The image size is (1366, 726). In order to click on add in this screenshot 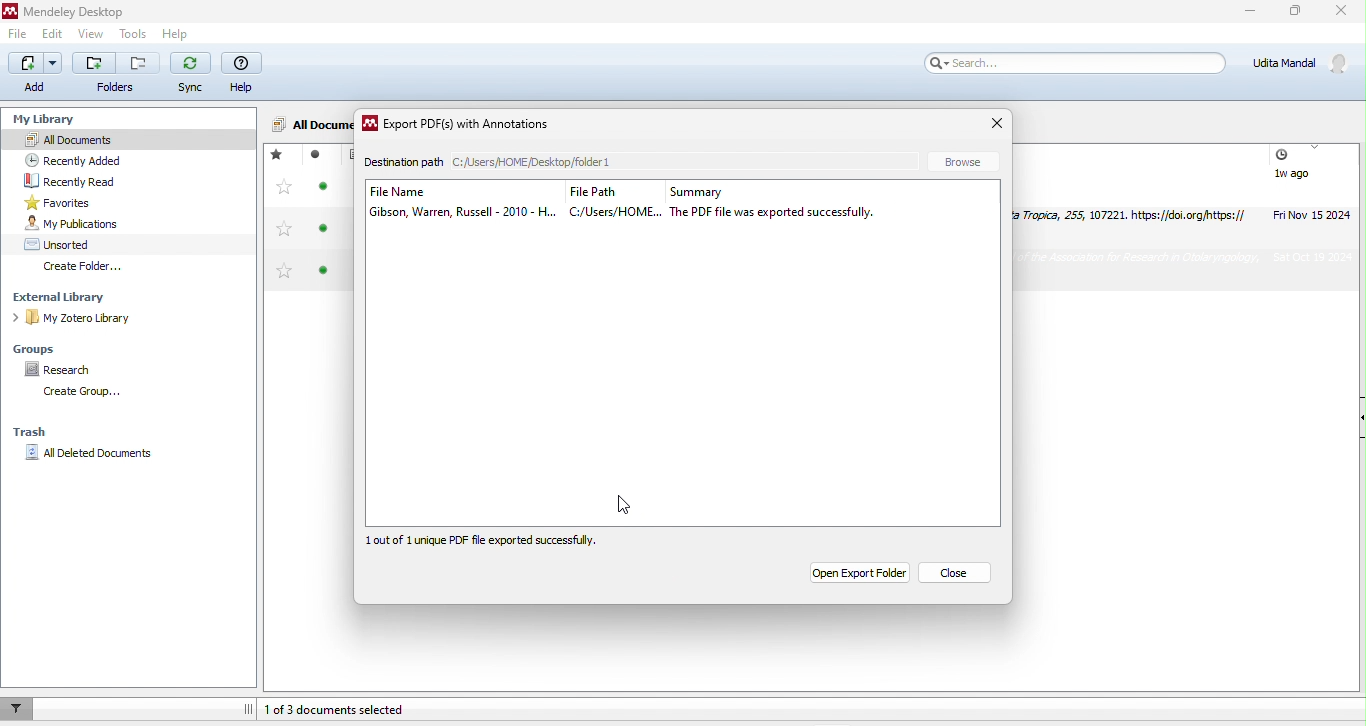, I will do `click(35, 75)`.